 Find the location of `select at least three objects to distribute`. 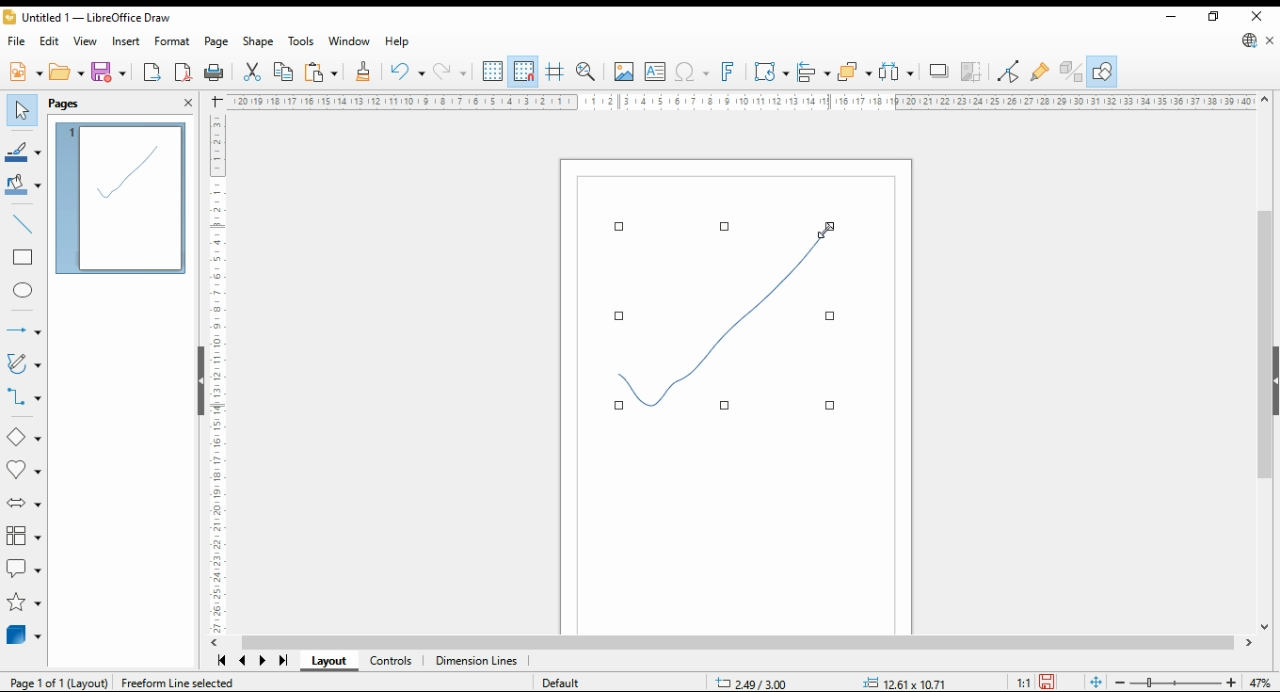

select at least three objects to distribute is located at coordinates (896, 72).